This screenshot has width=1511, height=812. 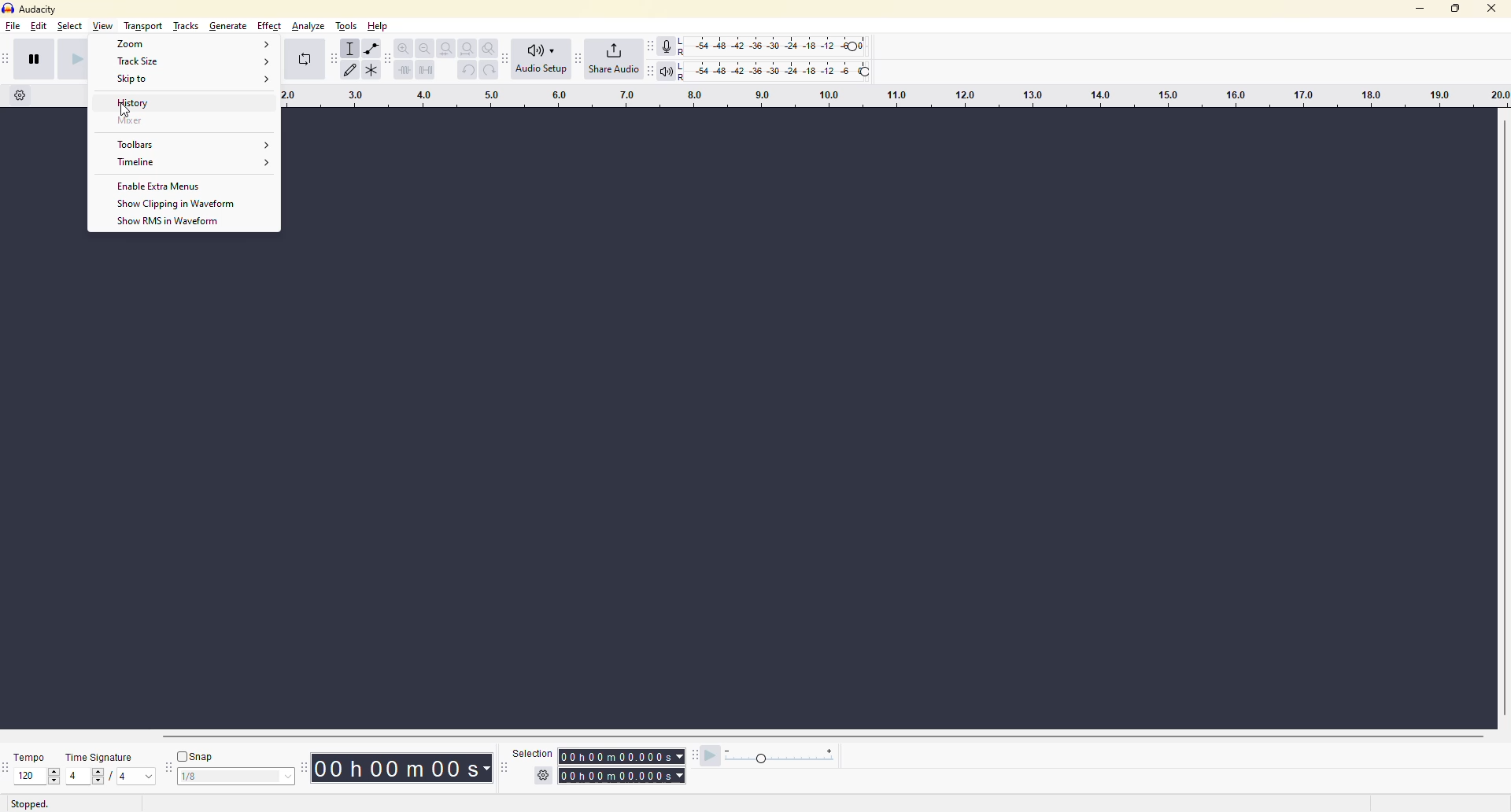 What do you see at coordinates (829, 736) in the screenshot?
I see `horizontal scrollbar` at bounding box center [829, 736].